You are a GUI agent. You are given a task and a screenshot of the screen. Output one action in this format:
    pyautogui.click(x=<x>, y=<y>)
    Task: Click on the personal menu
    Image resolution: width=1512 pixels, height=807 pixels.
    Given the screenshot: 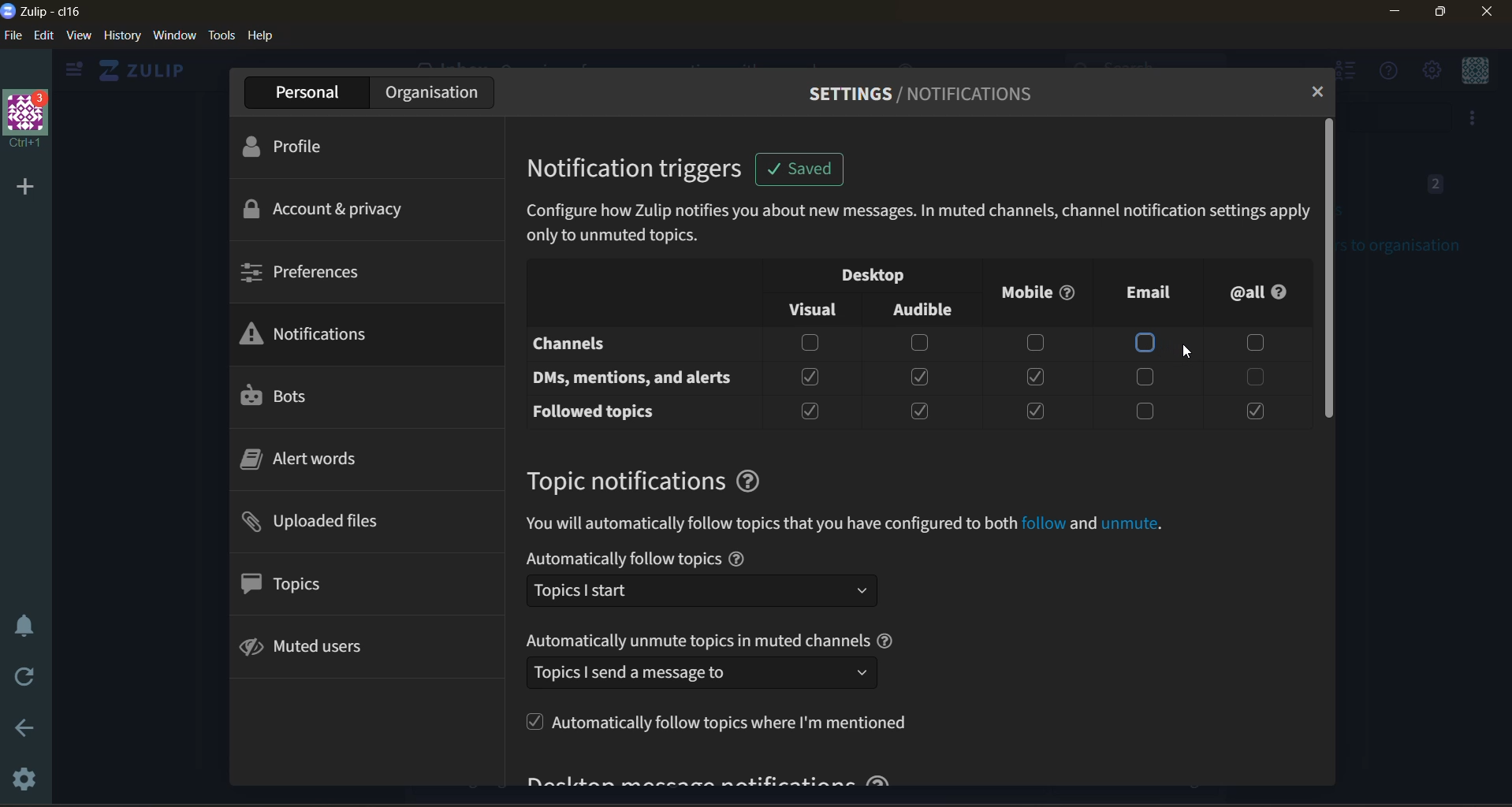 What is the action you would take?
    pyautogui.click(x=1477, y=72)
    